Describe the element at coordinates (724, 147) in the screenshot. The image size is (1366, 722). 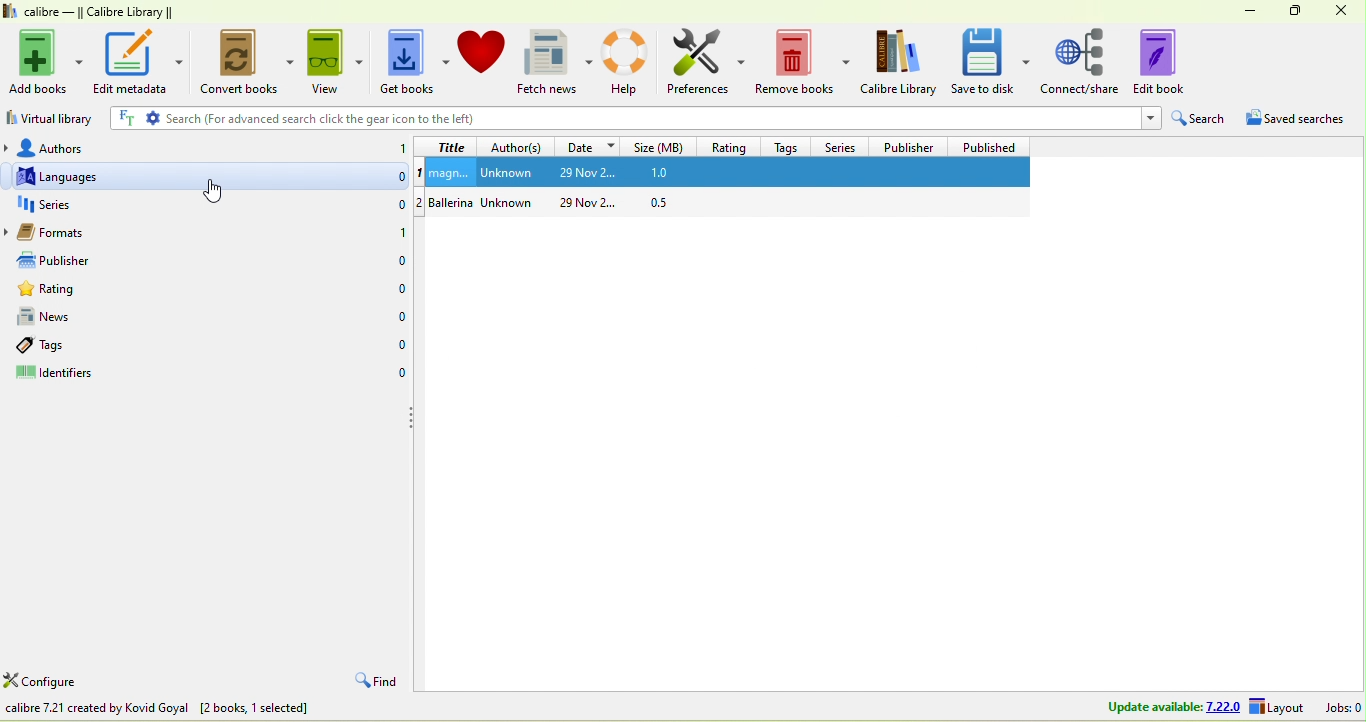
I see `rating` at that location.